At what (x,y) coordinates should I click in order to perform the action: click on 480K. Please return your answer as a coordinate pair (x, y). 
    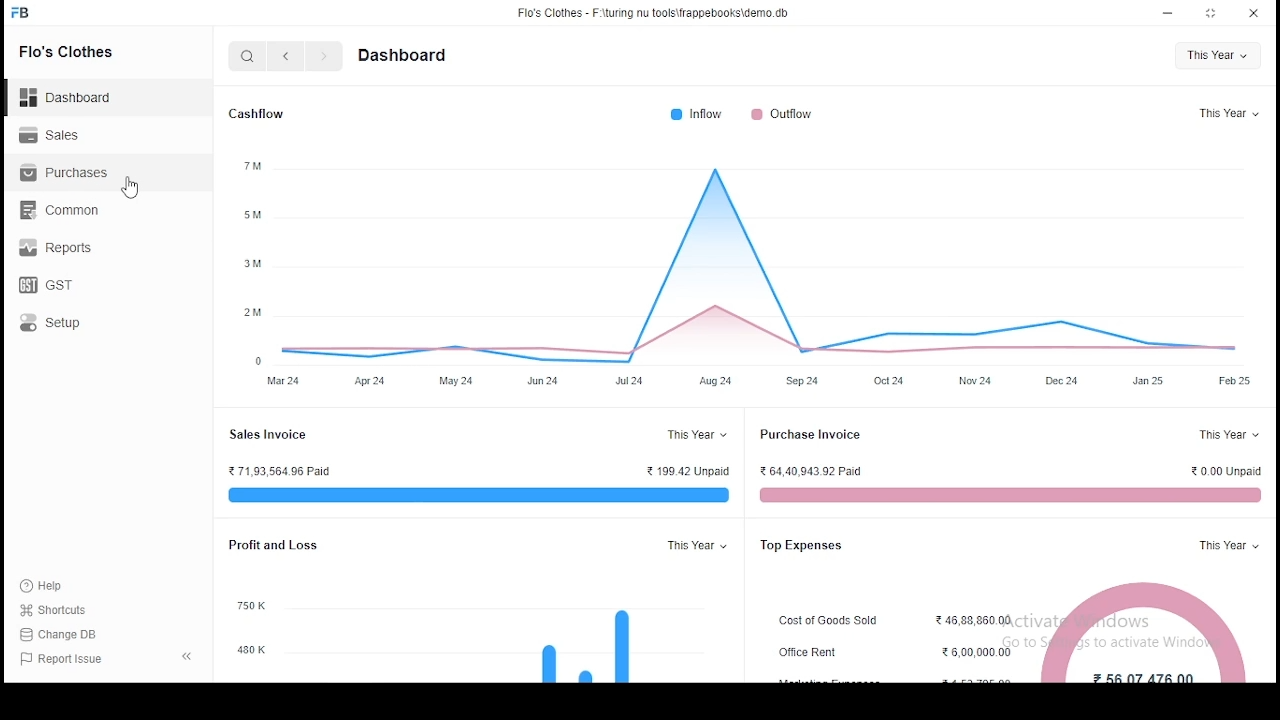
    Looking at the image, I should click on (252, 651).